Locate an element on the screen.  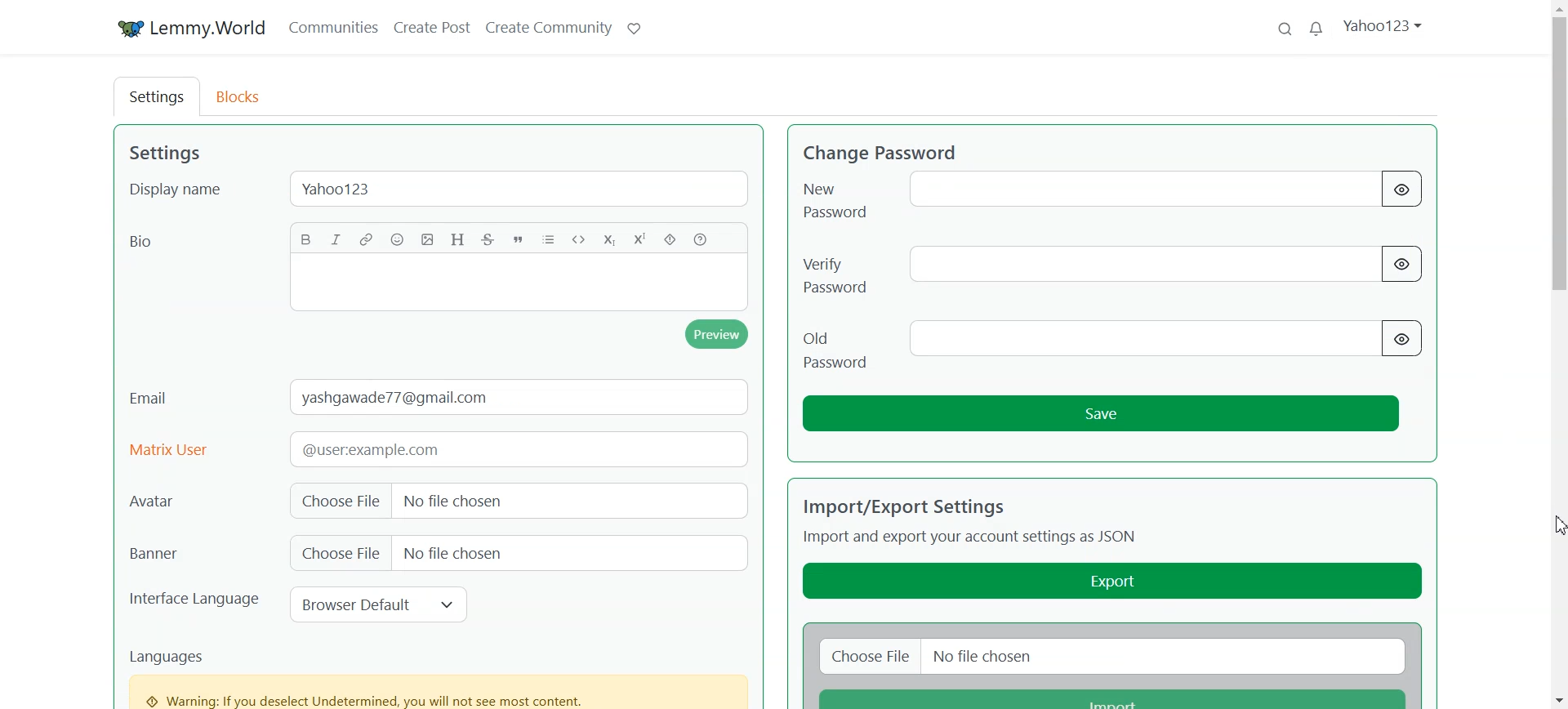
Matrix User is located at coordinates (171, 448).